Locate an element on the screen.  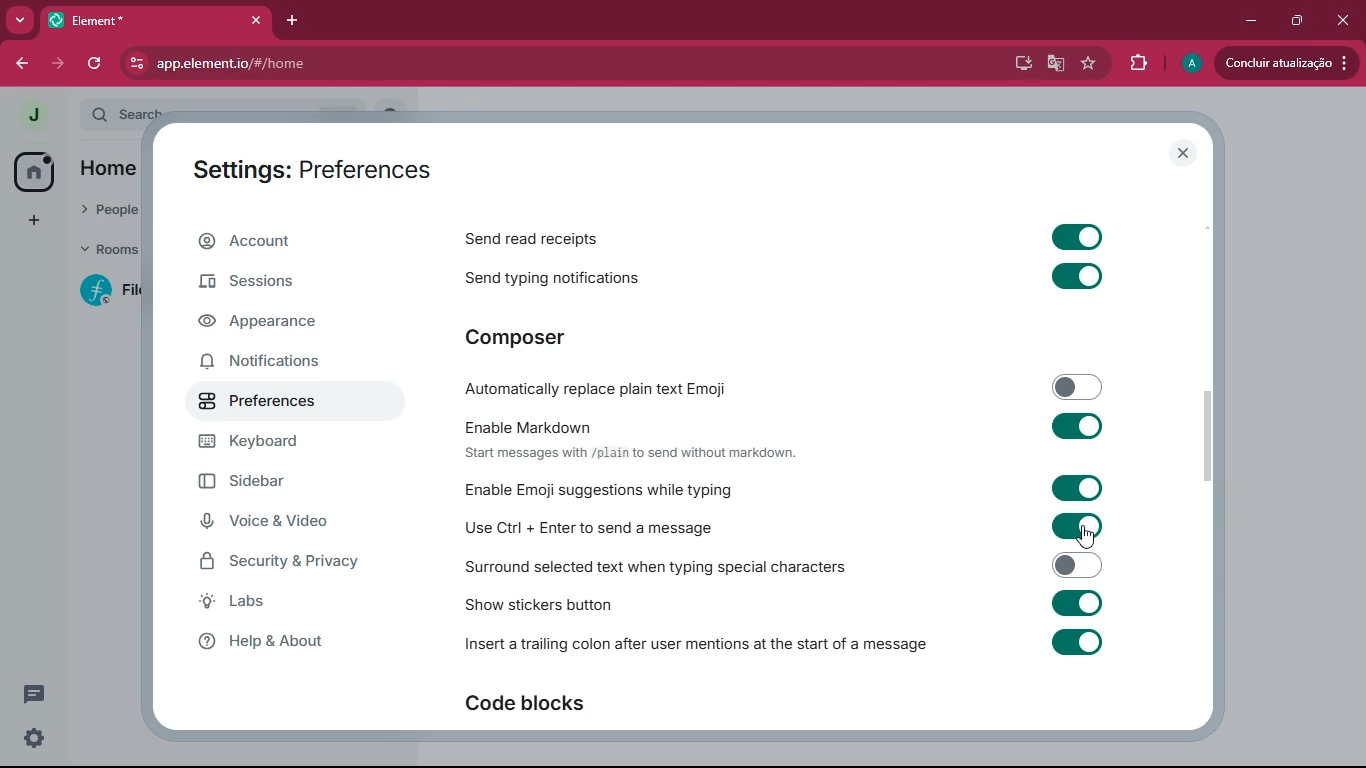
enable markdown is located at coordinates (534, 426).